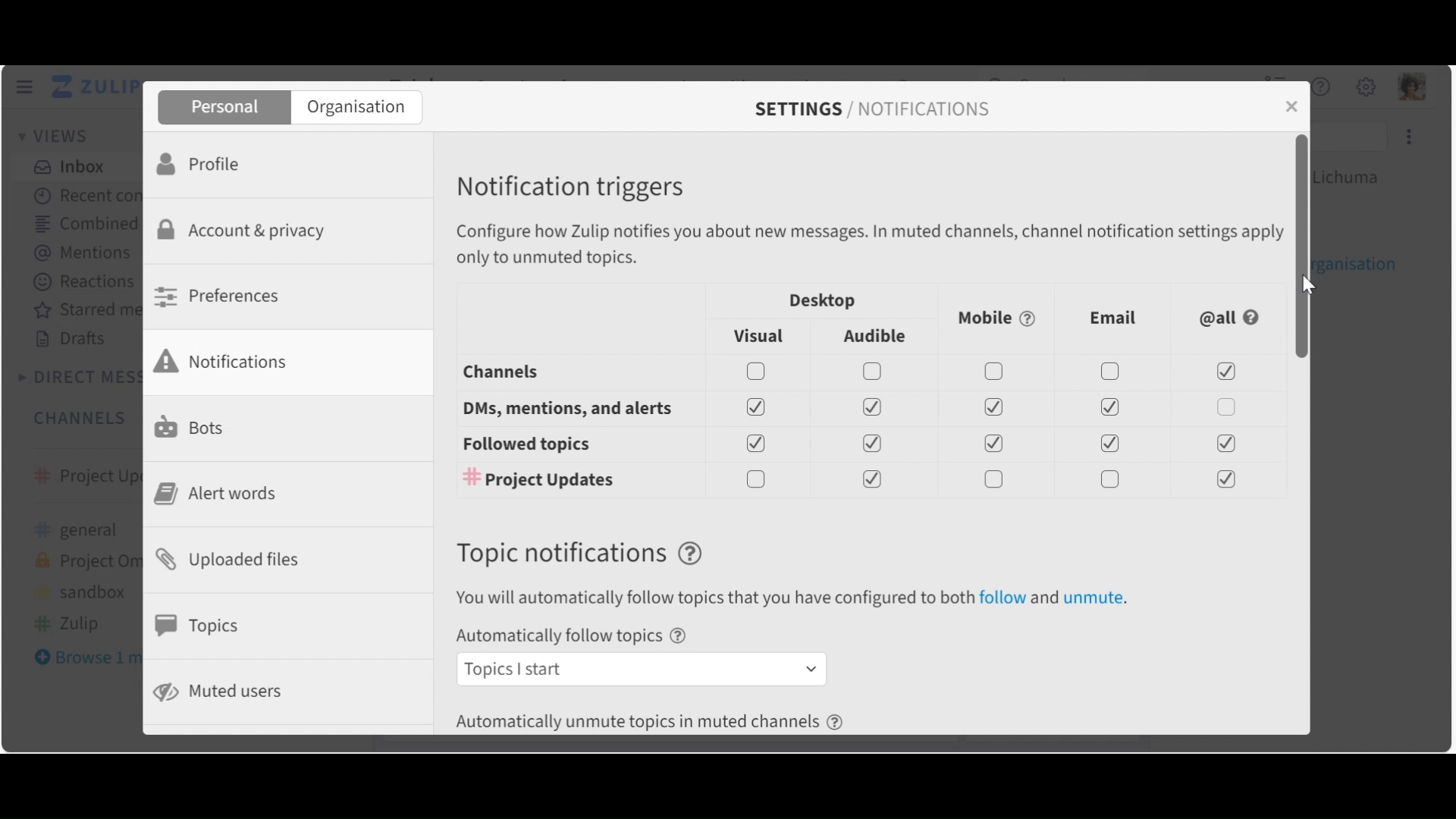 The width and height of the screenshot is (1456, 819). I want to click on Email, so click(1114, 318).